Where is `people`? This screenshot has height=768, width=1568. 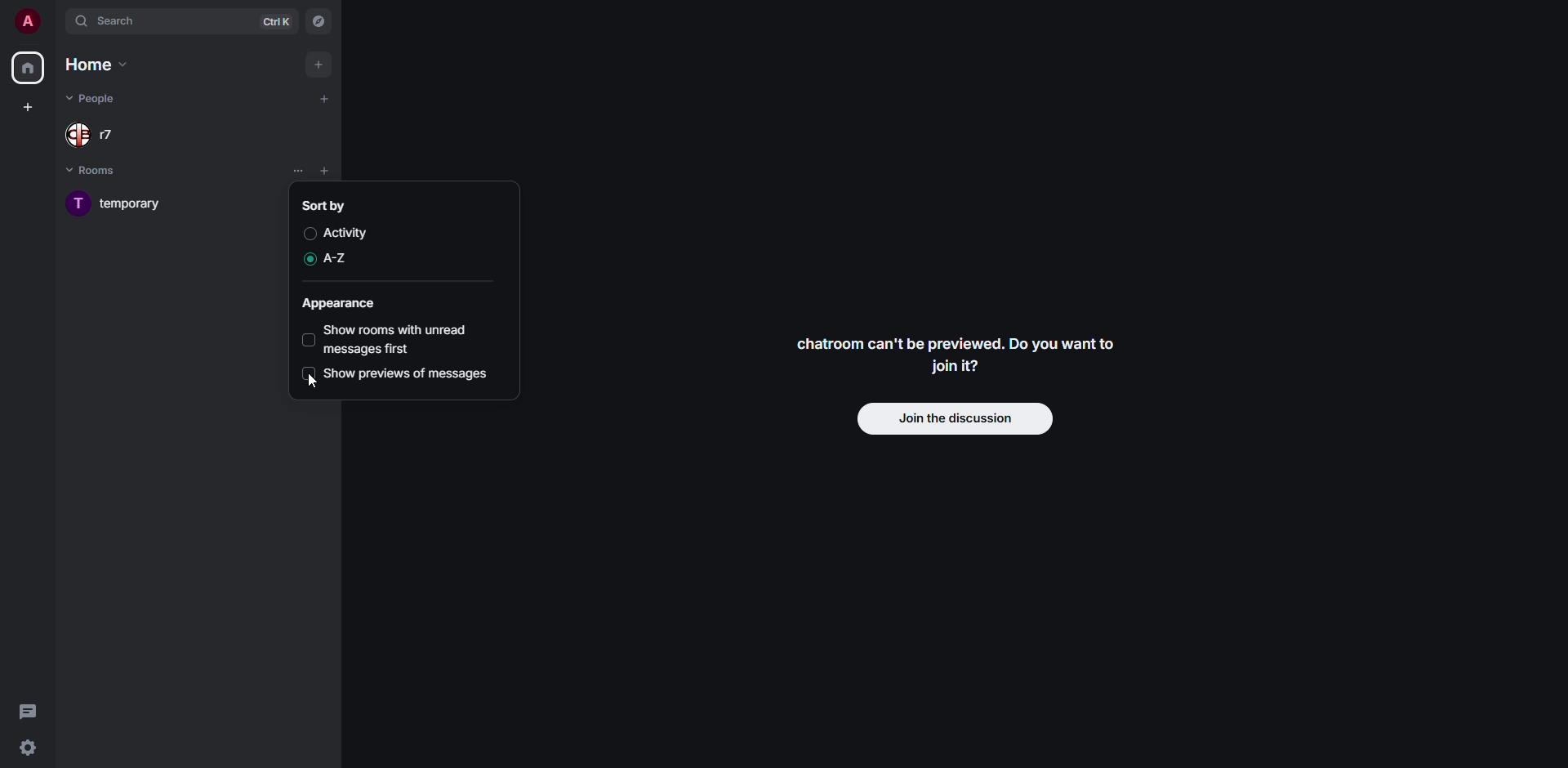 people is located at coordinates (91, 99).